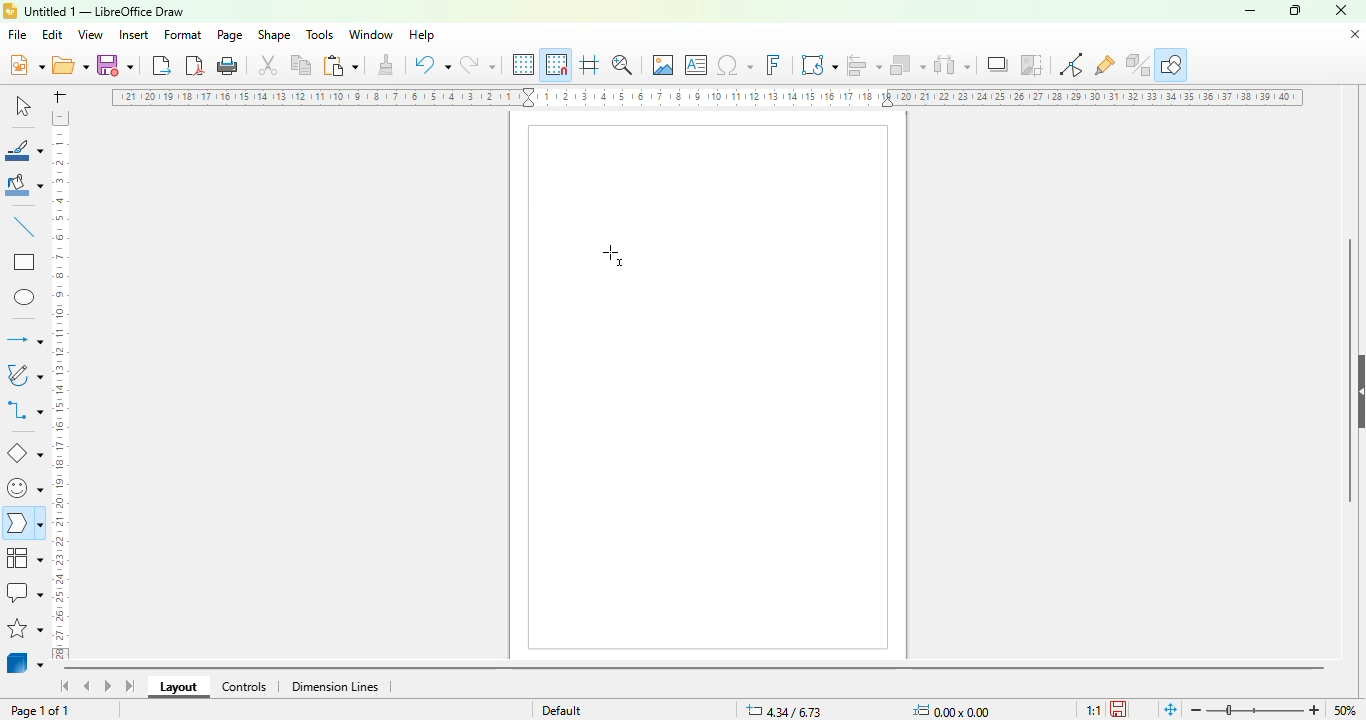 This screenshot has height=720, width=1366. What do you see at coordinates (229, 35) in the screenshot?
I see `page` at bounding box center [229, 35].